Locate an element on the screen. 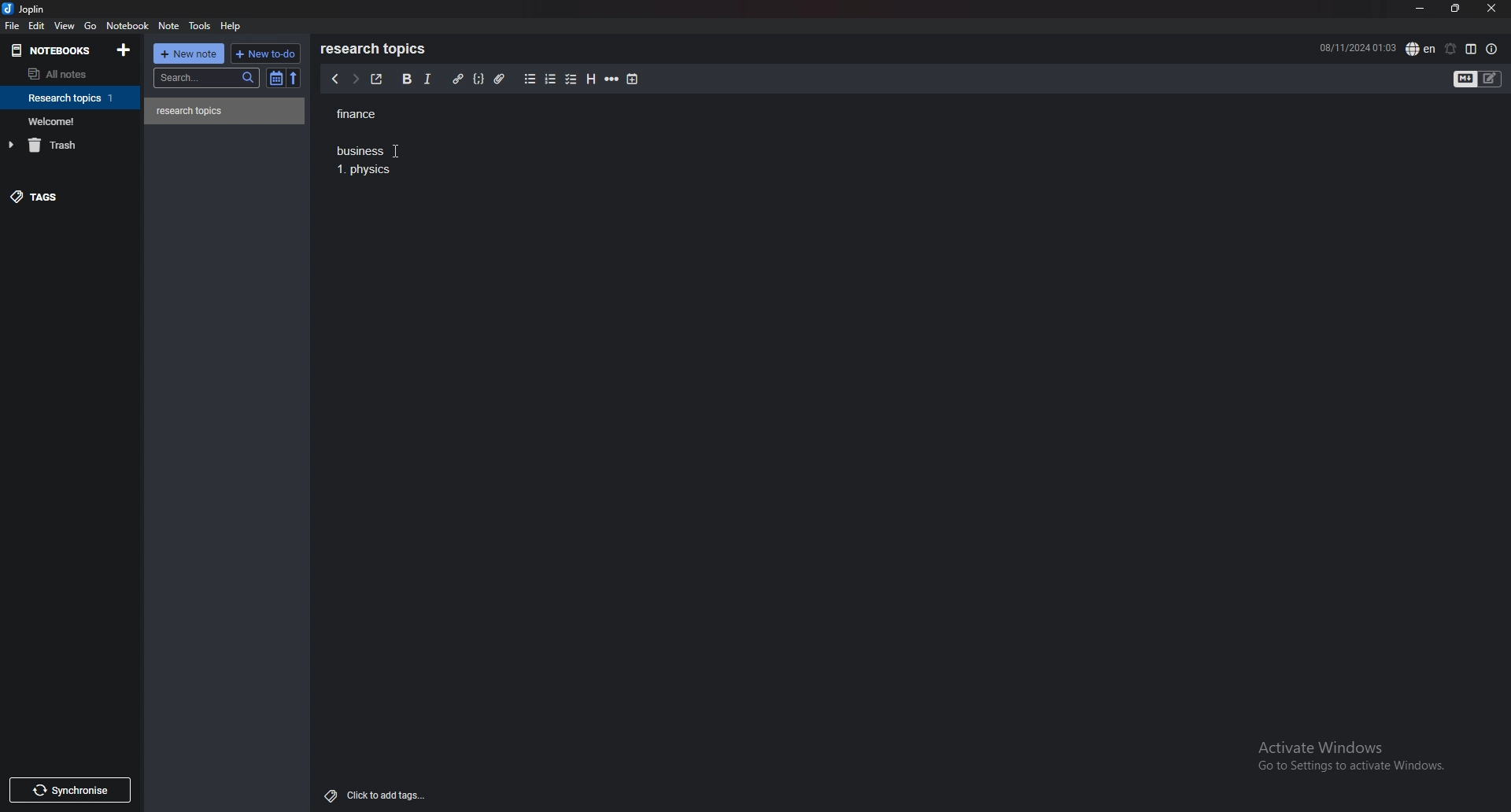  notebook is located at coordinates (72, 120).